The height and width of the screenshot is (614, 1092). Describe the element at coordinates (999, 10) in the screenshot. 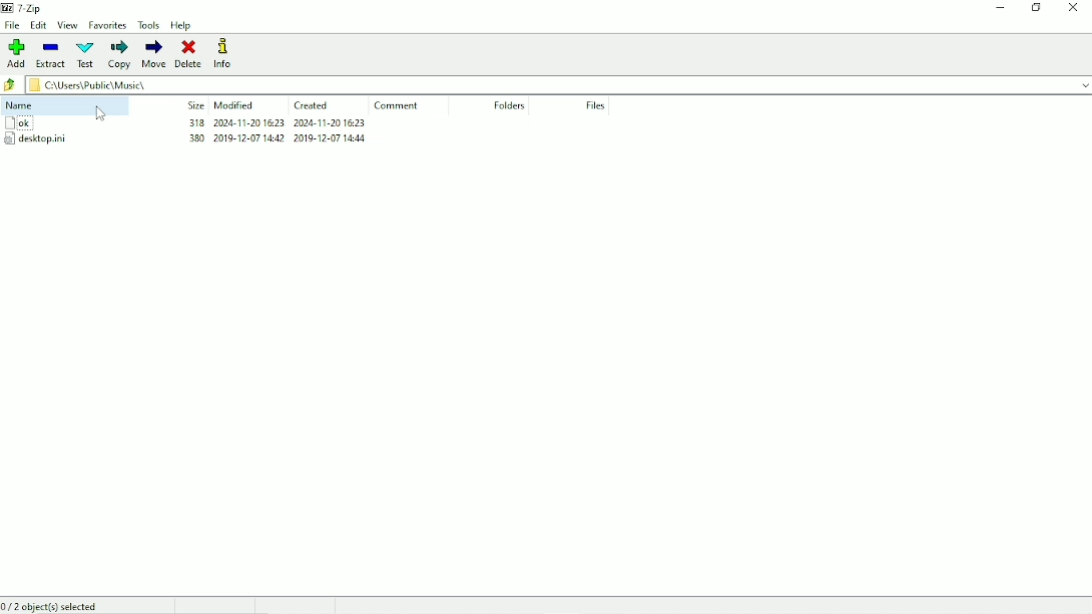

I see `Minimize` at that location.